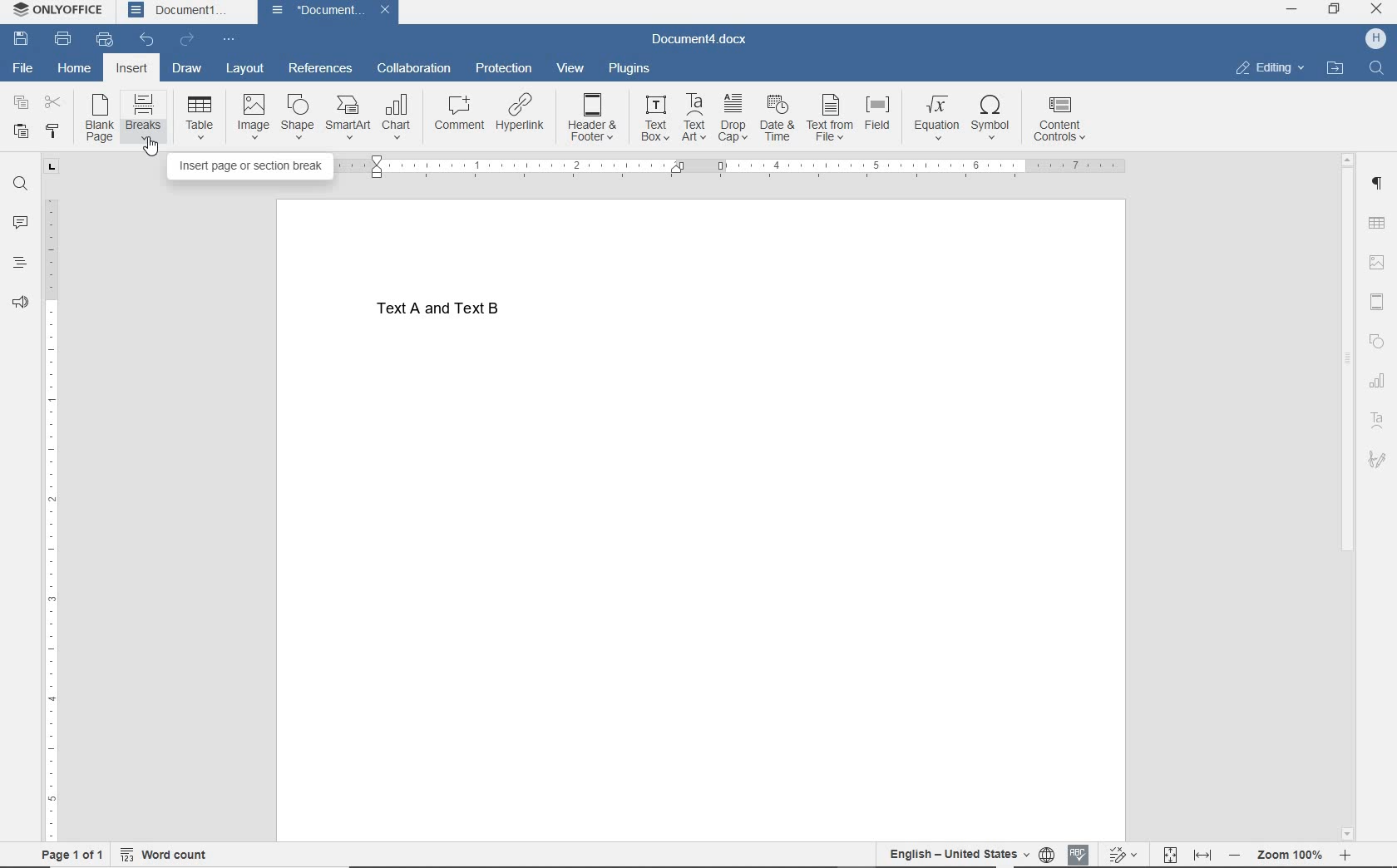  What do you see at coordinates (572, 69) in the screenshot?
I see `VIEW` at bounding box center [572, 69].